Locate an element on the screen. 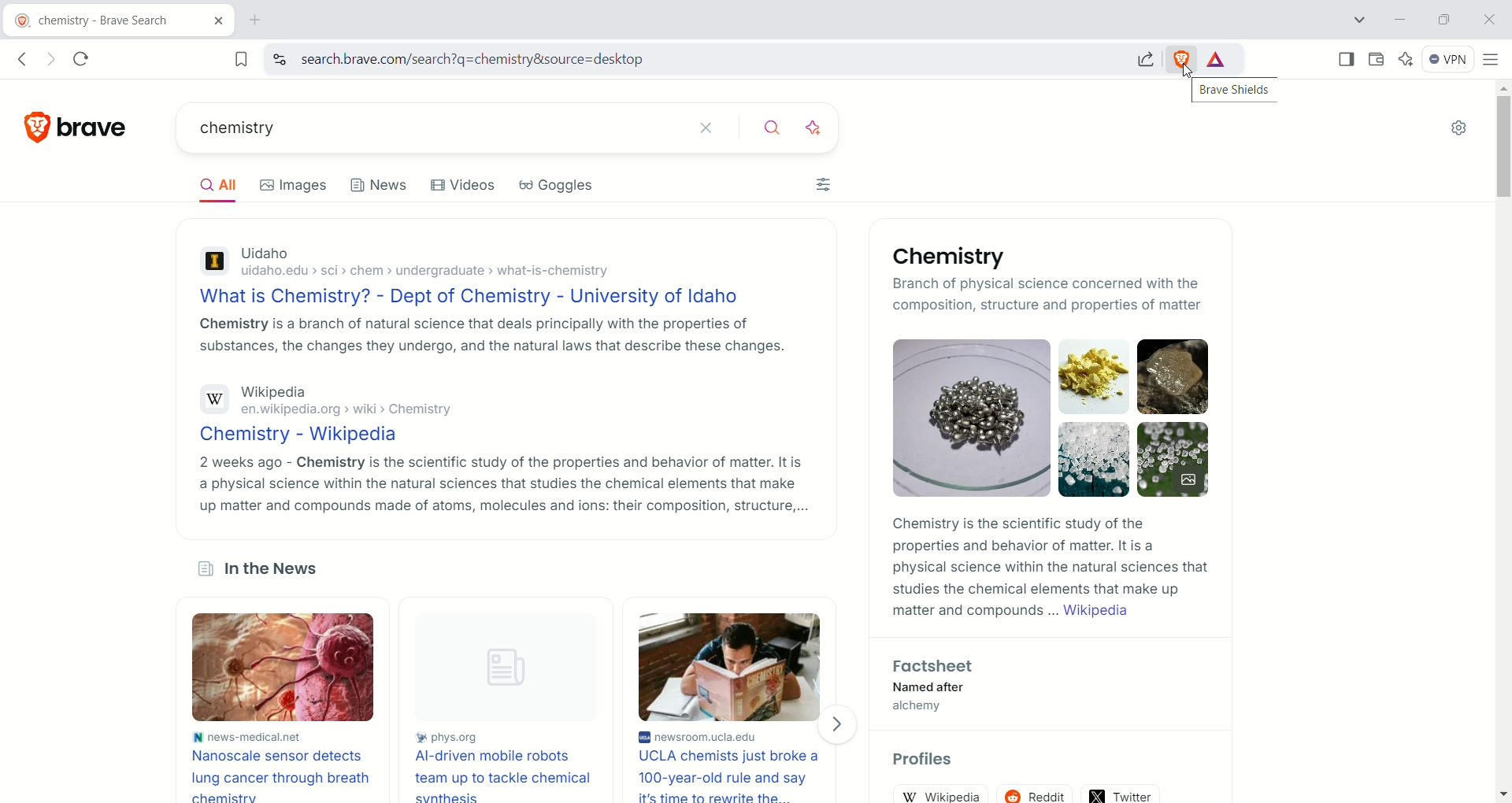 The height and width of the screenshot is (803, 1512). customize and control brave is located at coordinates (1494, 62).